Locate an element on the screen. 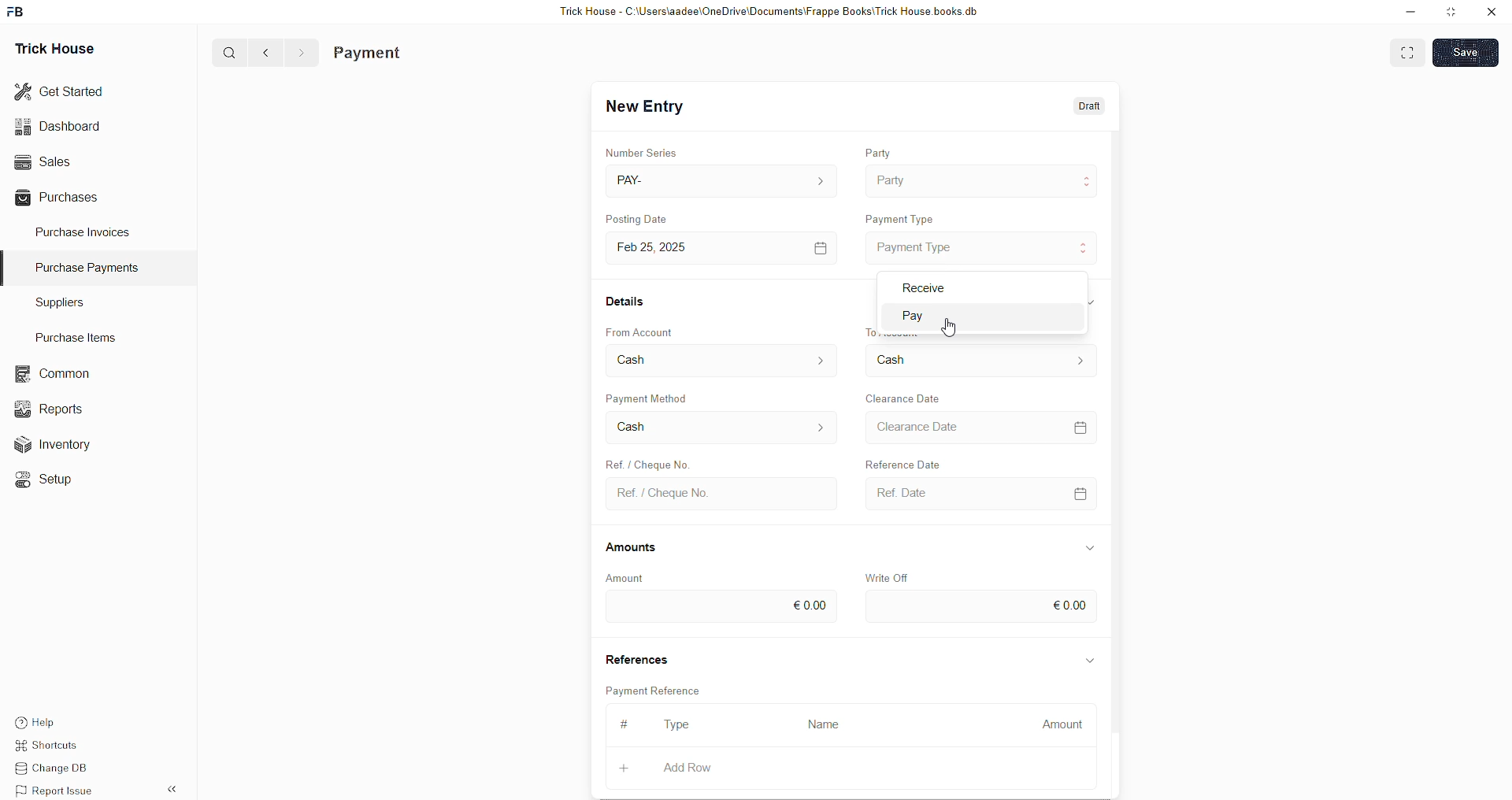  common is located at coordinates (55, 374).